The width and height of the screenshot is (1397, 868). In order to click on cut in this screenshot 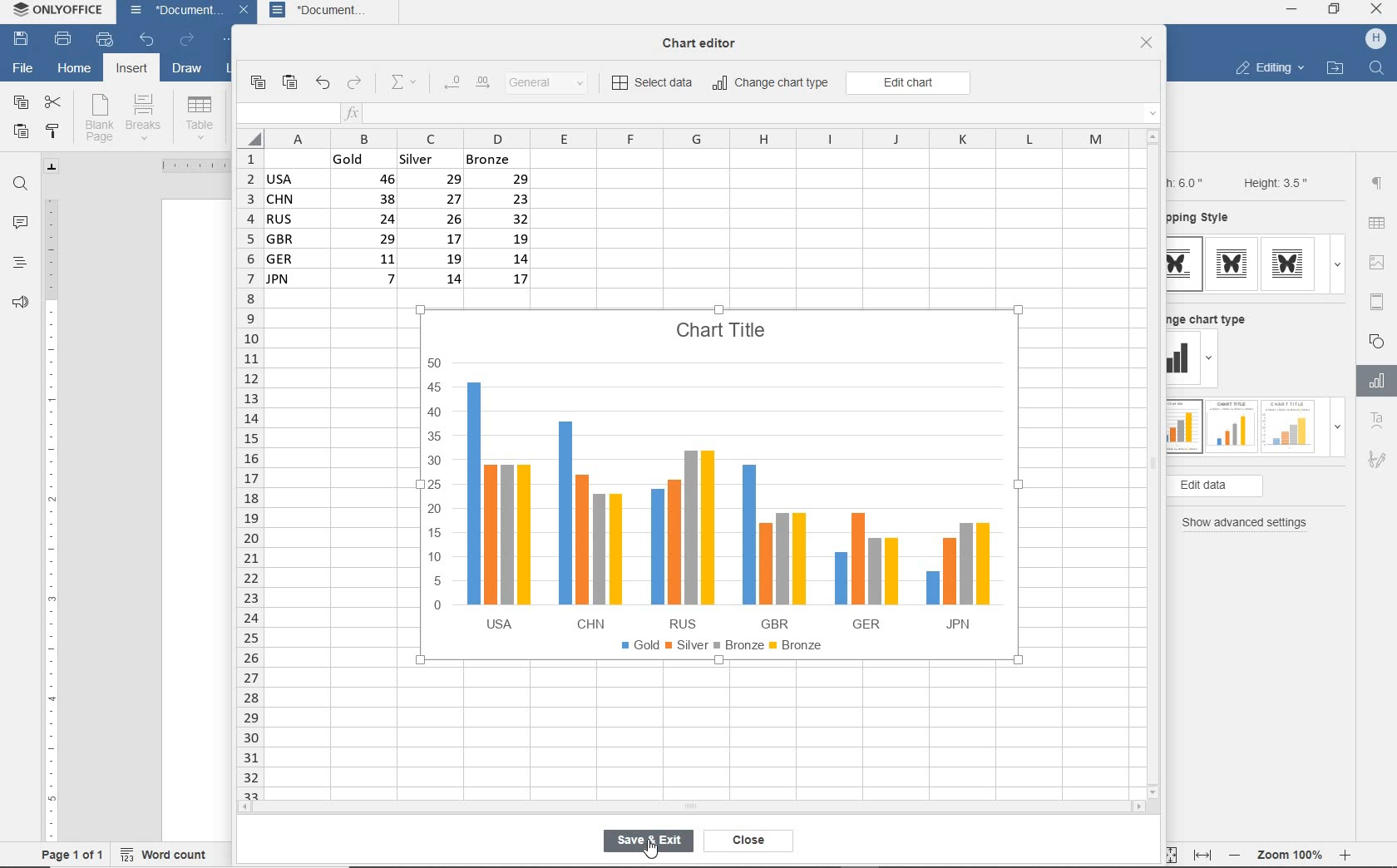, I will do `click(54, 101)`.